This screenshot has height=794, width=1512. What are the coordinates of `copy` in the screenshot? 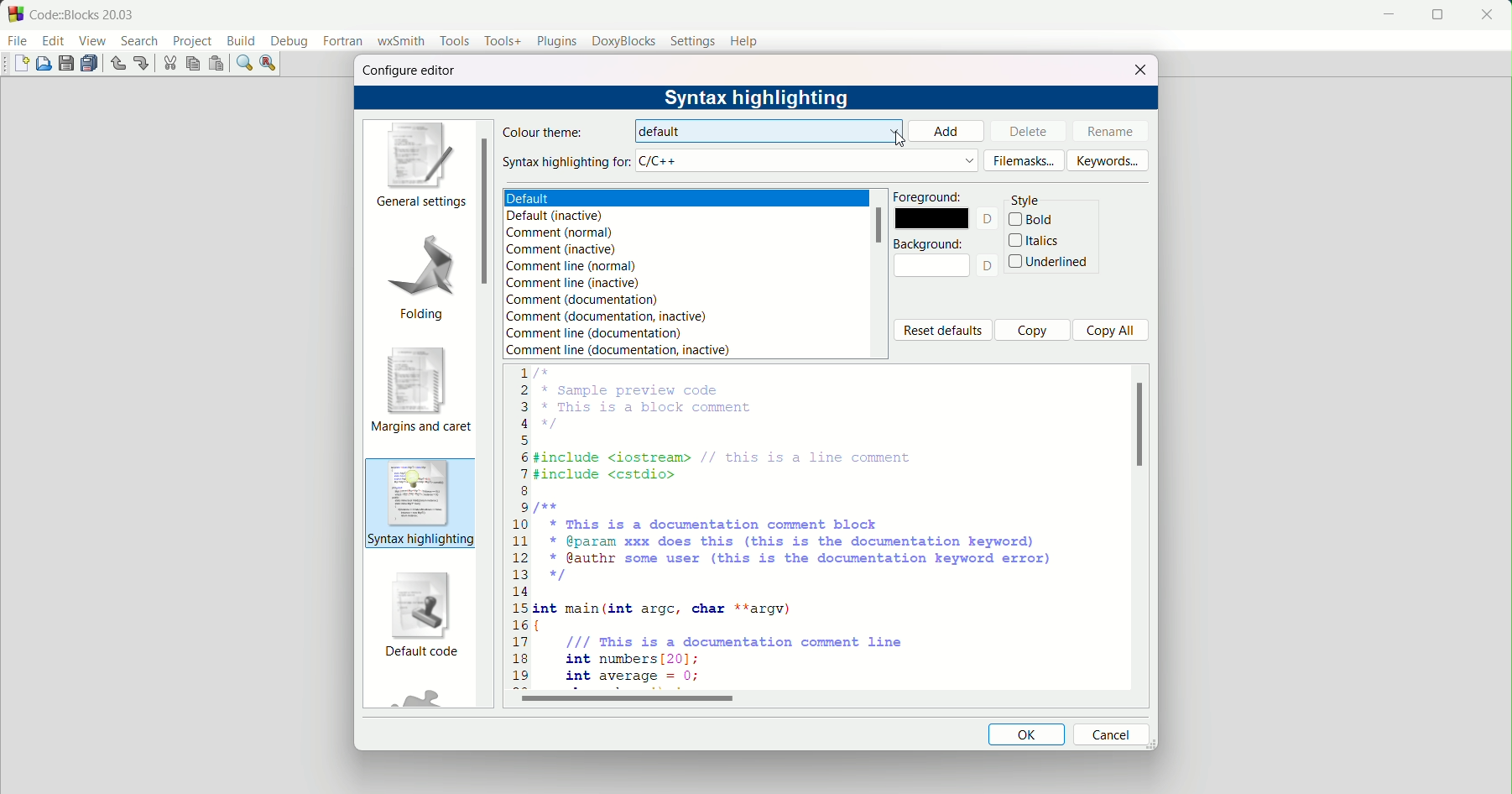 It's located at (1030, 329).